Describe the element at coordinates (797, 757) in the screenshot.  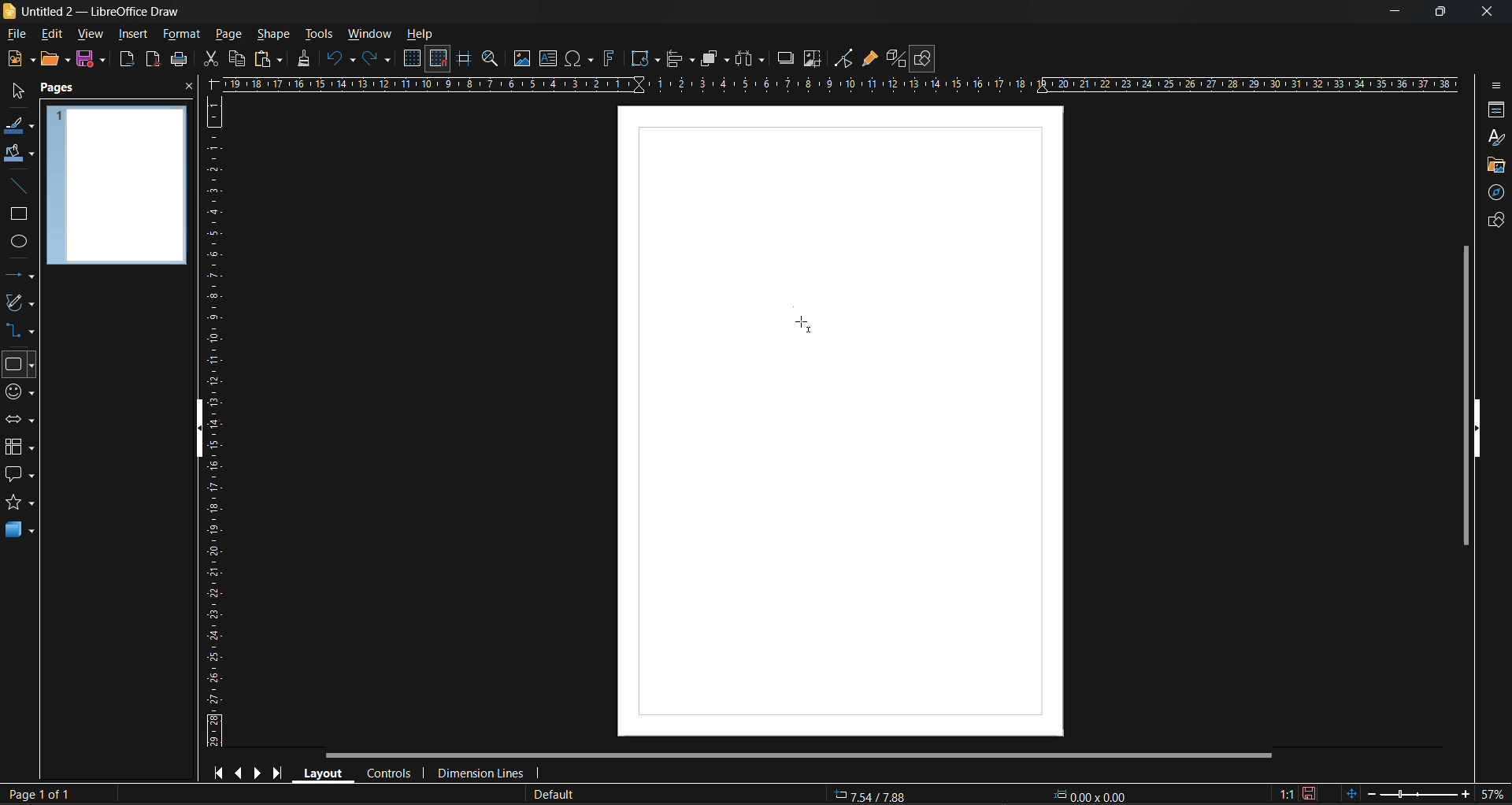
I see `horizontal scroll bar` at that location.